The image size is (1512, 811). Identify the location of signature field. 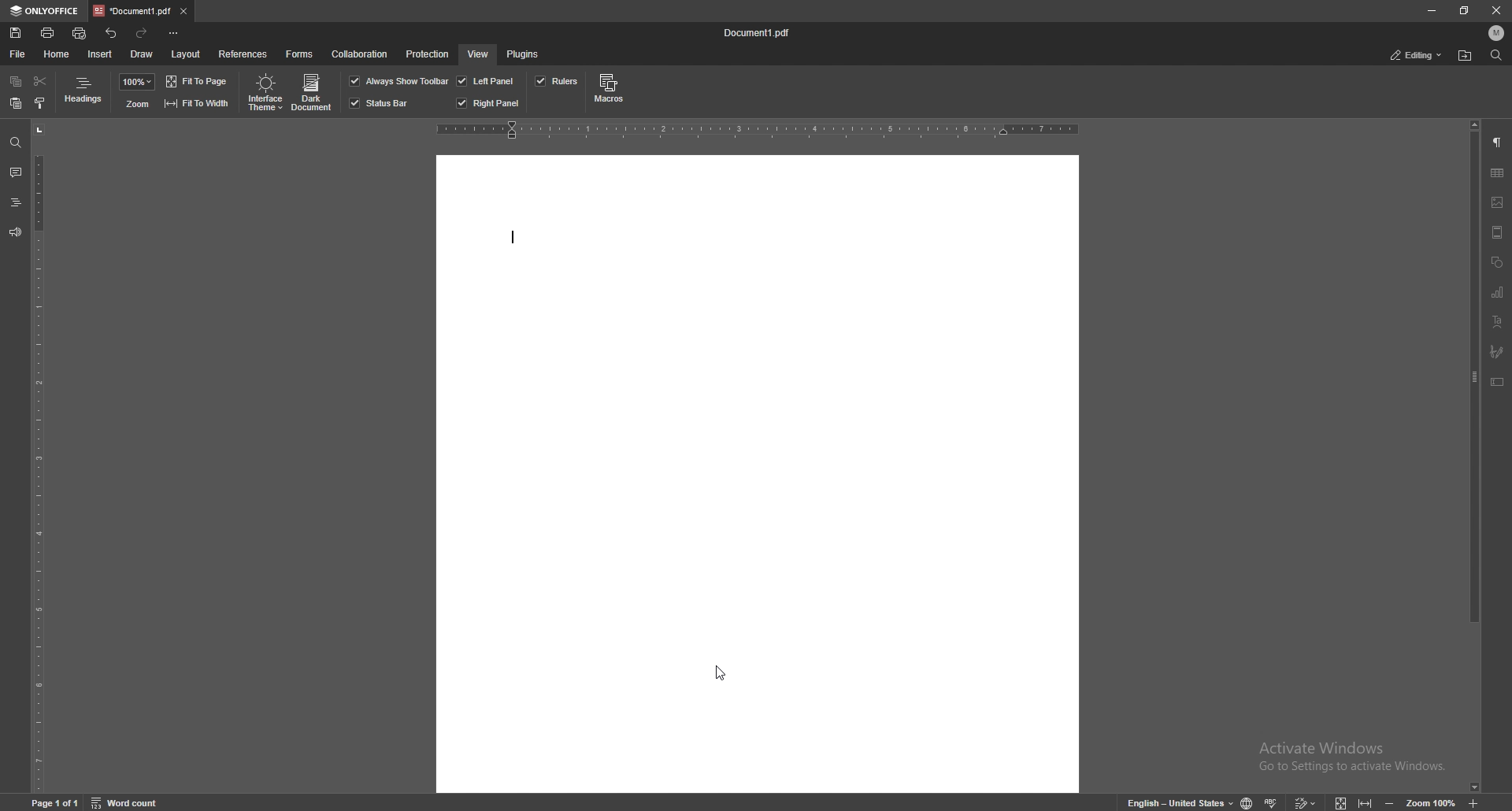
(1497, 351).